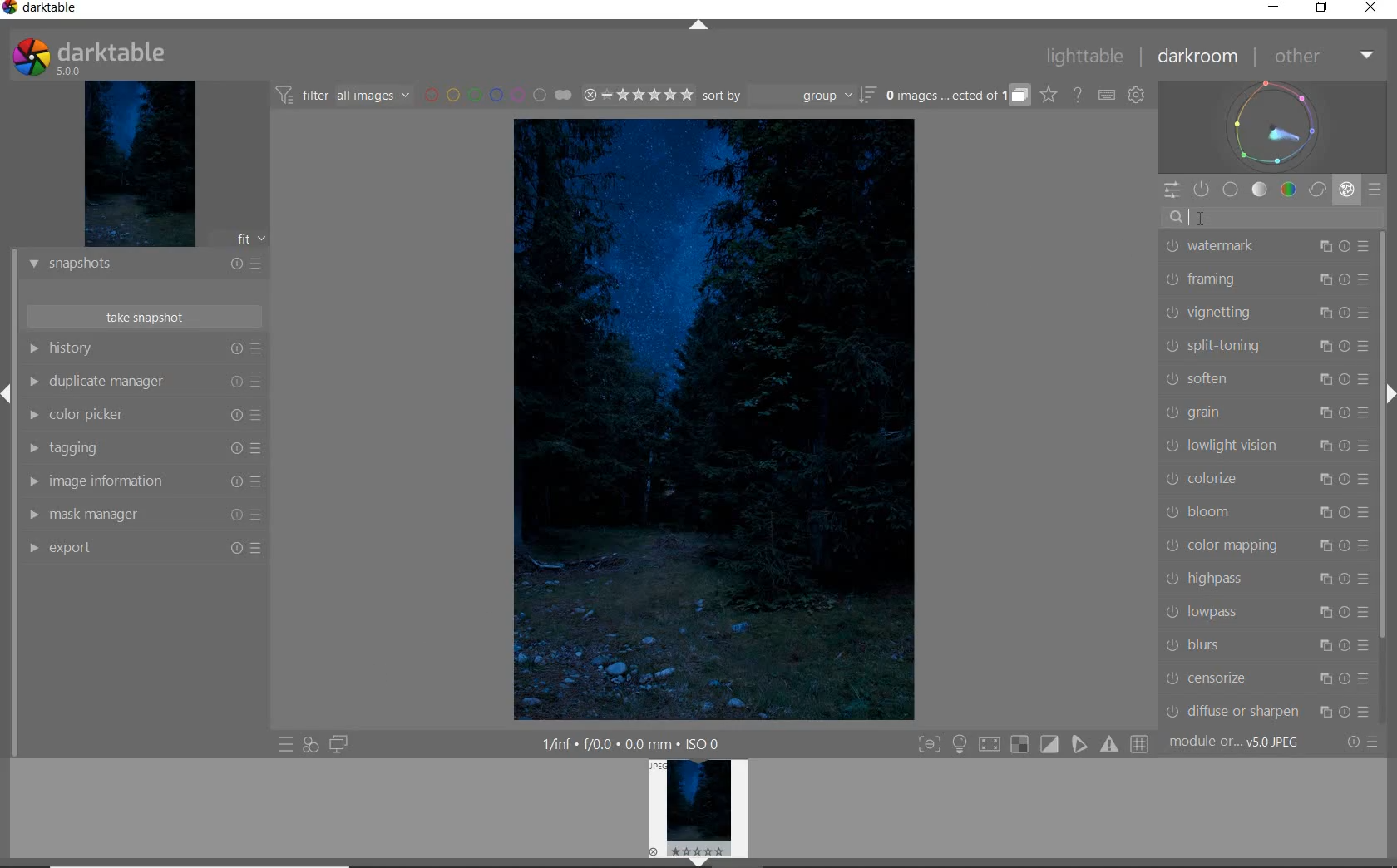 The image size is (1397, 868). I want to click on SYSTEM LOGO, so click(91, 55).